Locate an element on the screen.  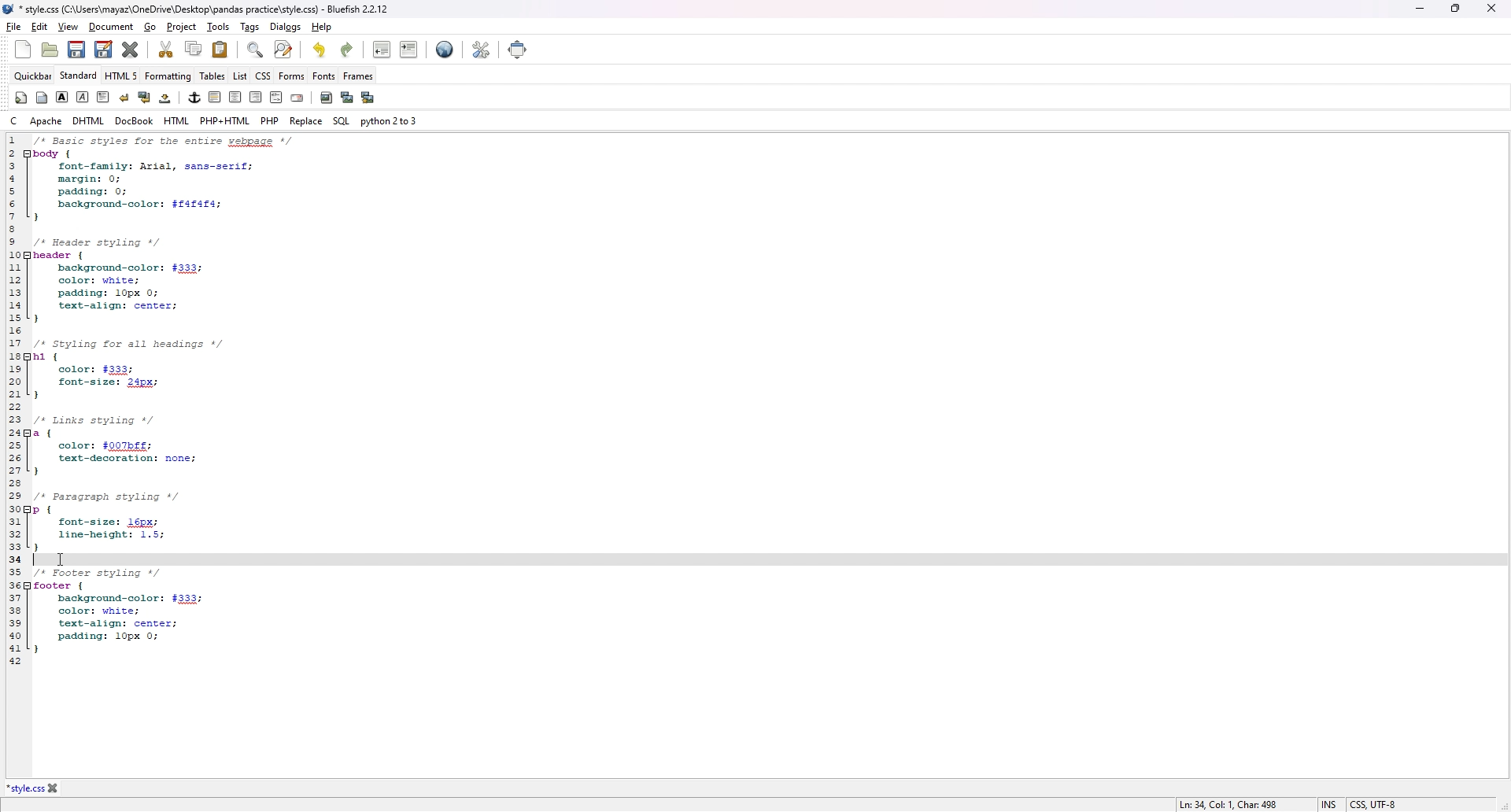
html 5 is located at coordinates (122, 76).